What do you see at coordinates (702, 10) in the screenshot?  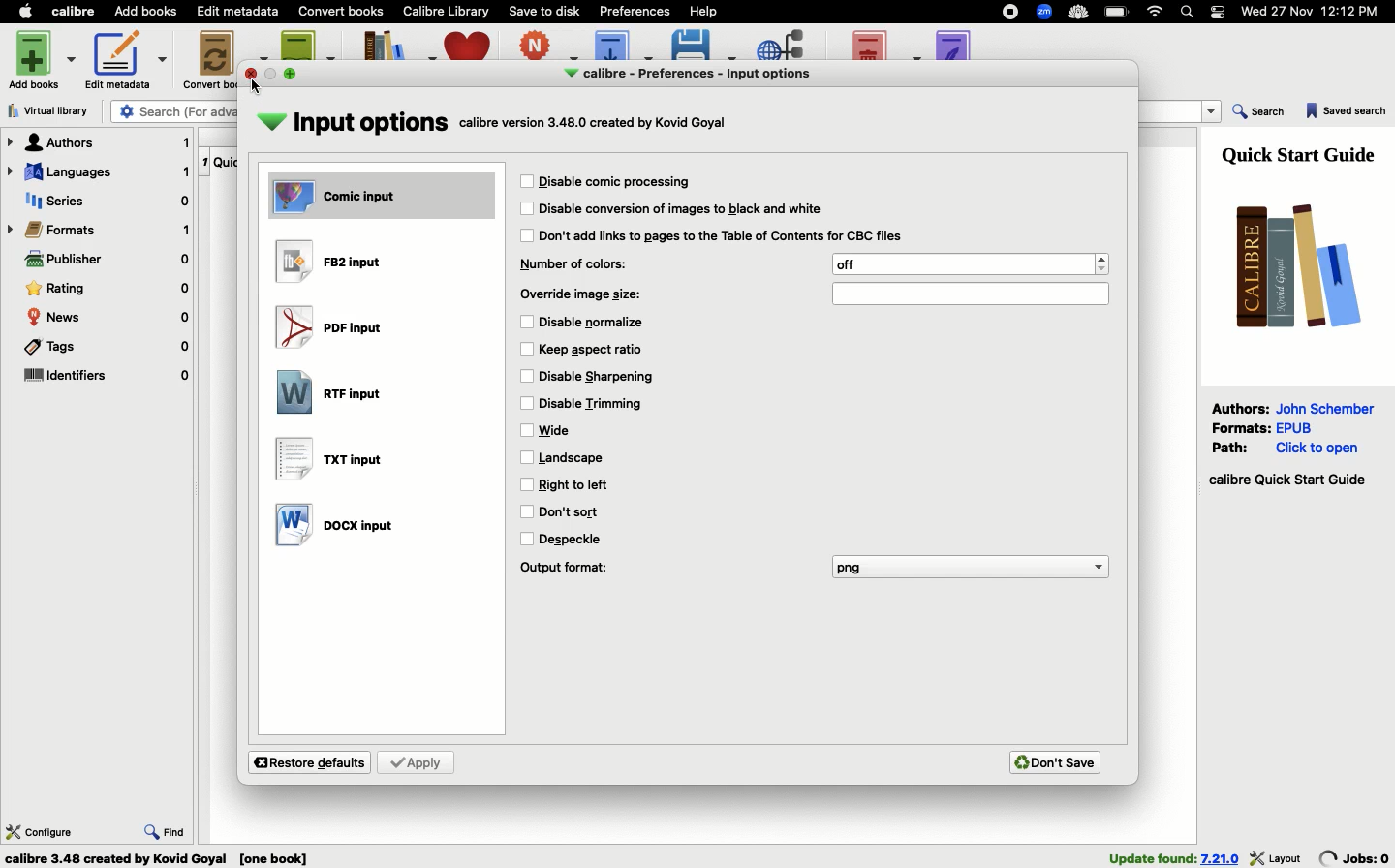 I see `Help` at bounding box center [702, 10].